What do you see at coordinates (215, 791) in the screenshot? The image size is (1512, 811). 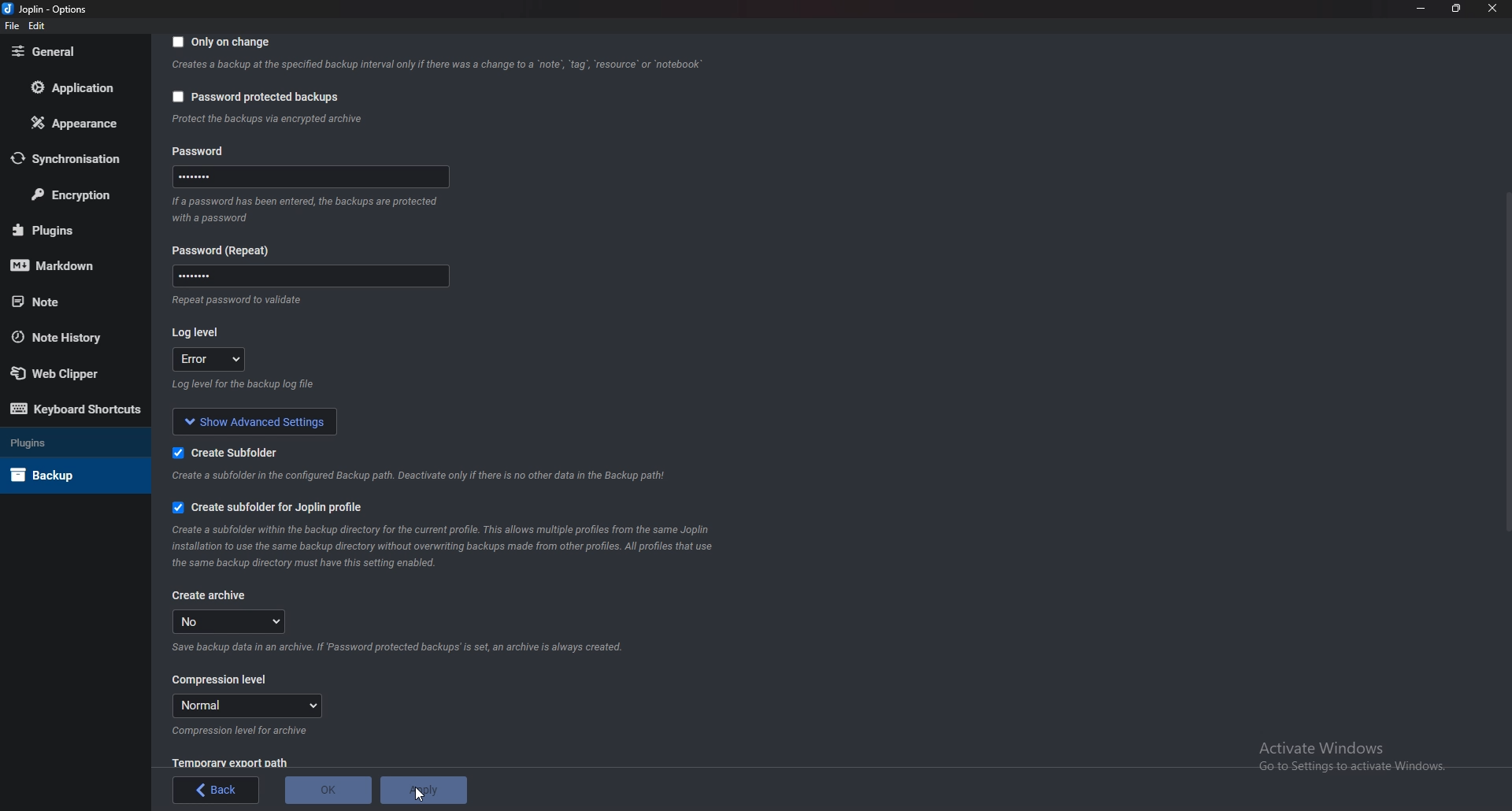 I see `Back` at bounding box center [215, 791].